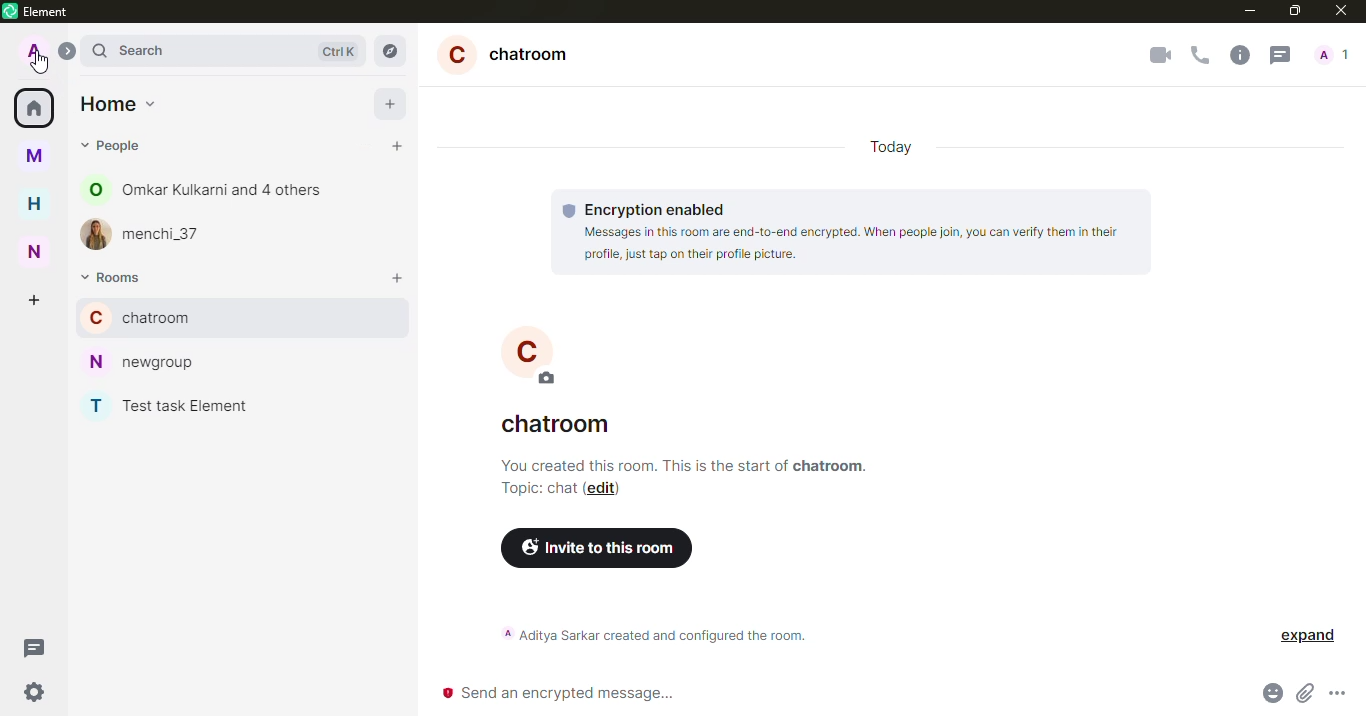 The width and height of the screenshot is (1366, 716). I want to click on menchi_37, so click(156, 235).